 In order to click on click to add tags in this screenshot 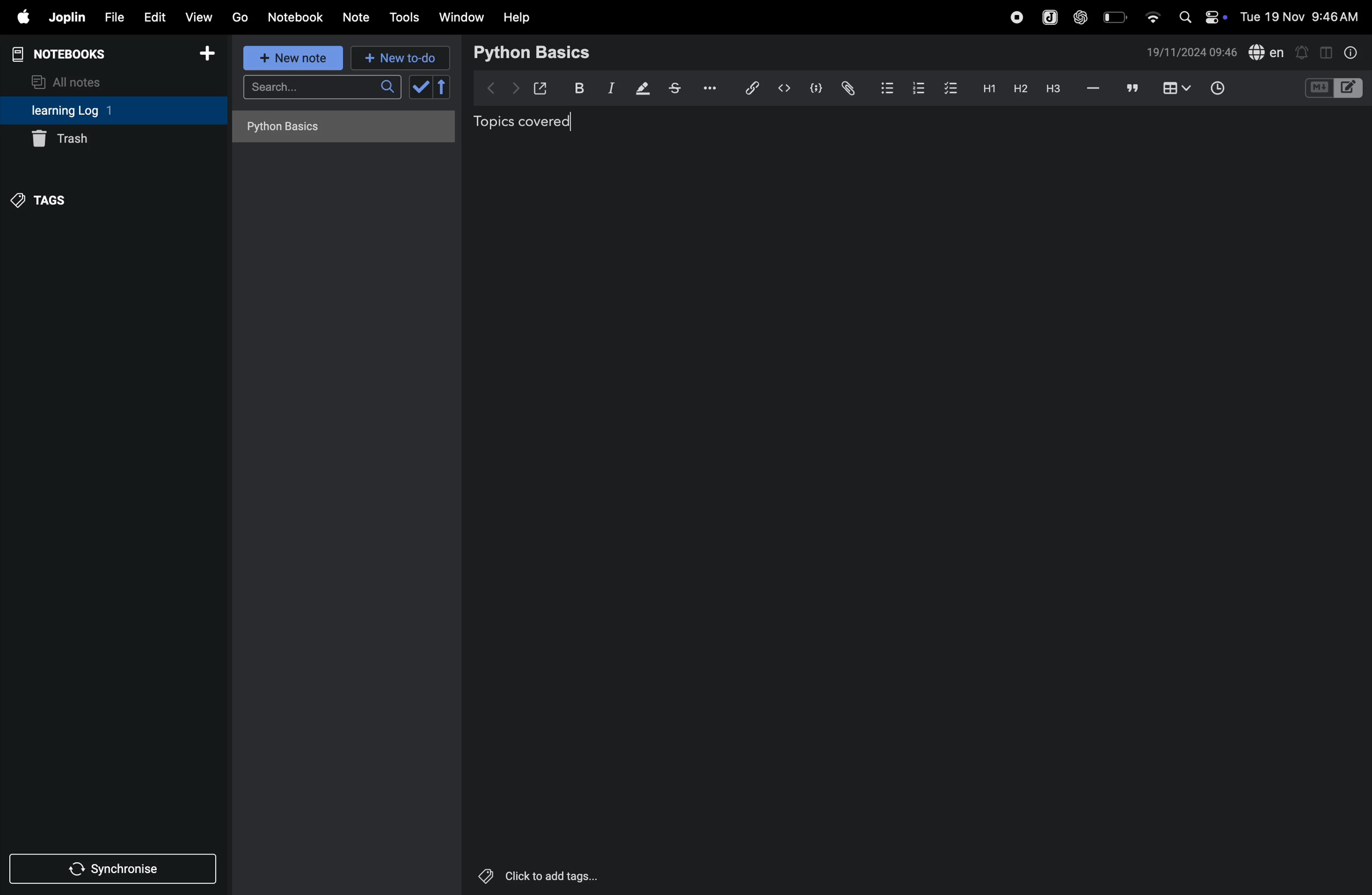, I will do `click(542, 878)`.